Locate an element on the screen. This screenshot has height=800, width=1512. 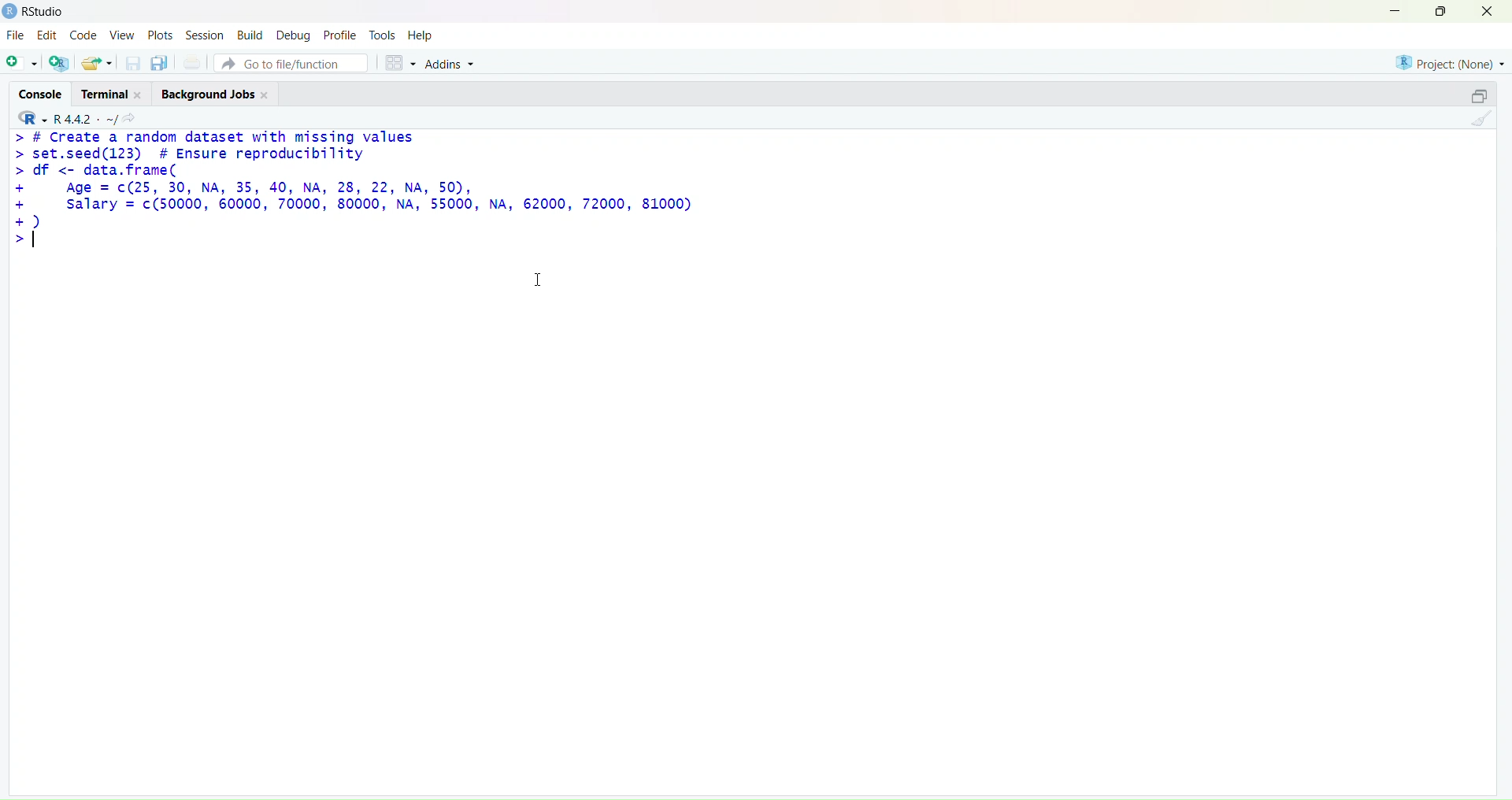
save all open documents is located at coordinates (160, 64).